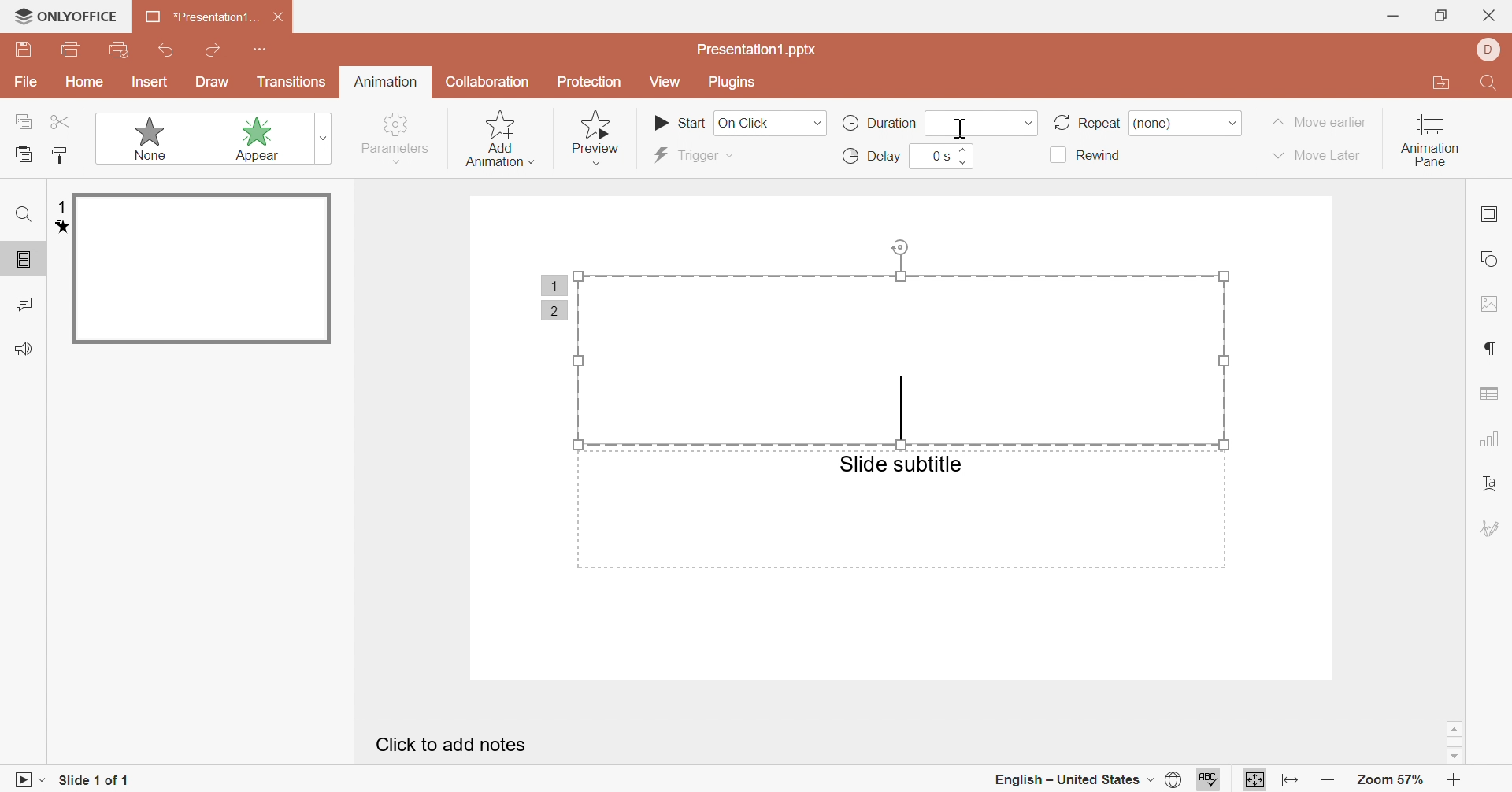 The image size is (1512, 792). What do you see at coordinates (201, 269) in the screenshot?
I see `slide` at bounding box center [201, 269].